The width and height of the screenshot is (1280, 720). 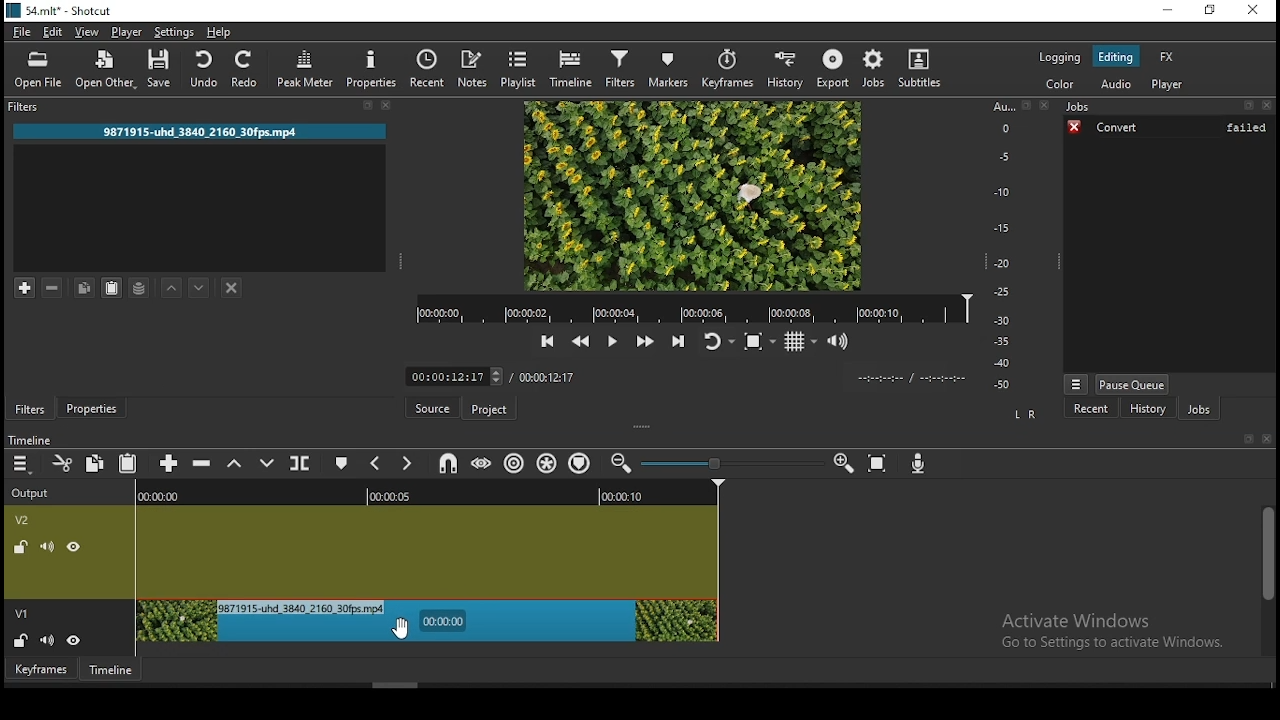 I want to click on v1, so click(x=22, y=611).